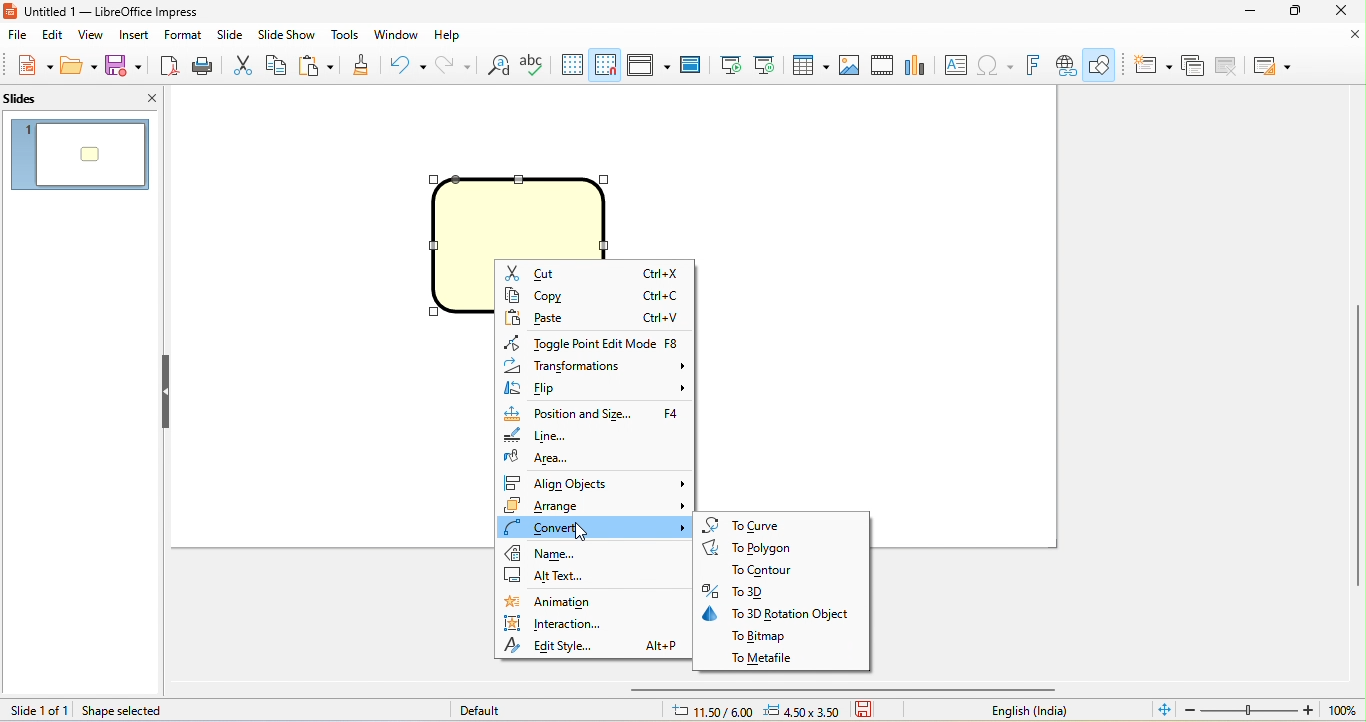 This screenshot has width=1366, height=722. What do you see at coordinates (593, 294) in the screenshot?
I see `copy` at bounding box center [593, 294].